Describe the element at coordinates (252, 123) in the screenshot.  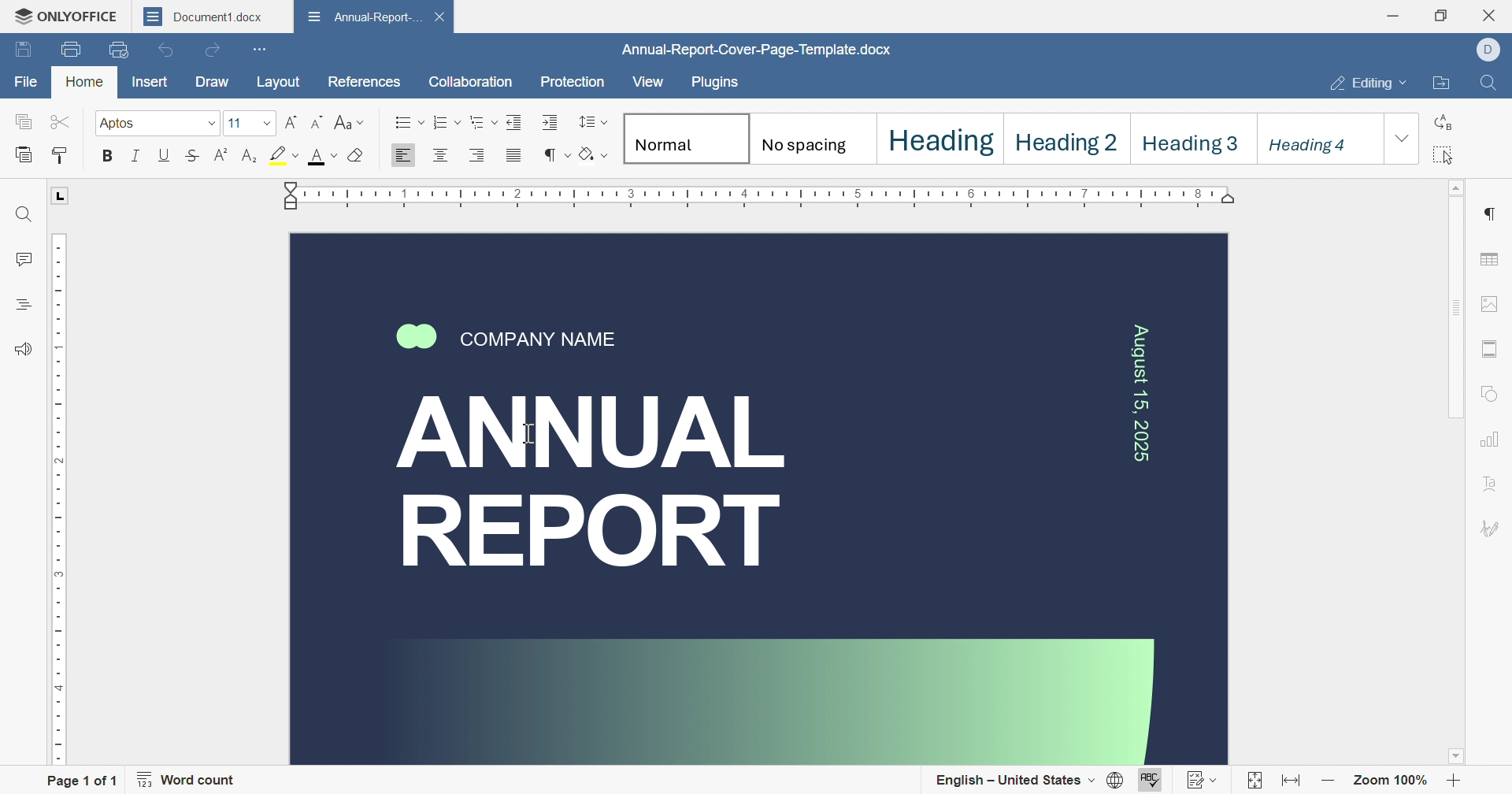
I see `font size` at that location.